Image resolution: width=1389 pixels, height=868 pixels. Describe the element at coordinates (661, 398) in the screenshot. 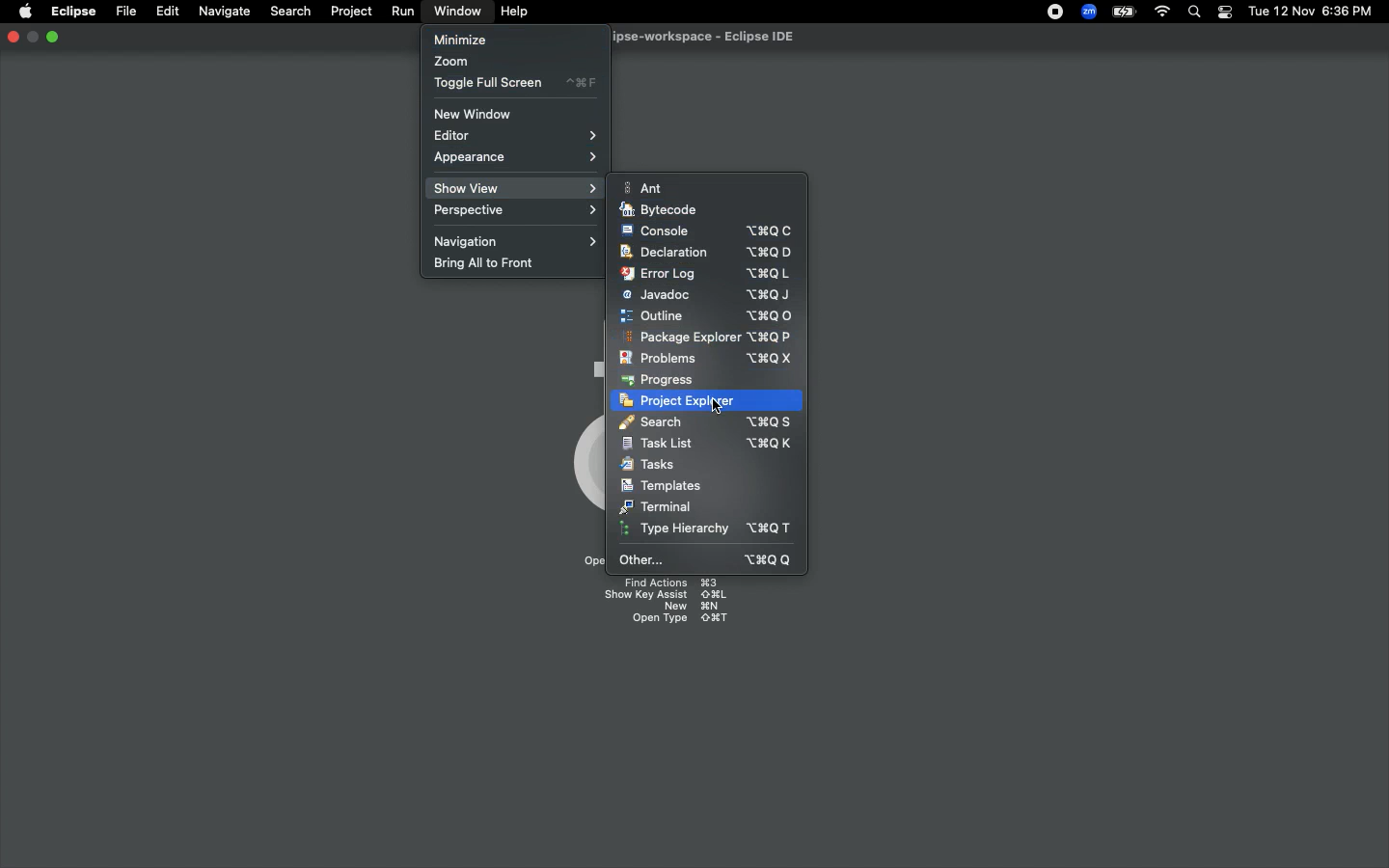

I see `Project explorer` at that location.